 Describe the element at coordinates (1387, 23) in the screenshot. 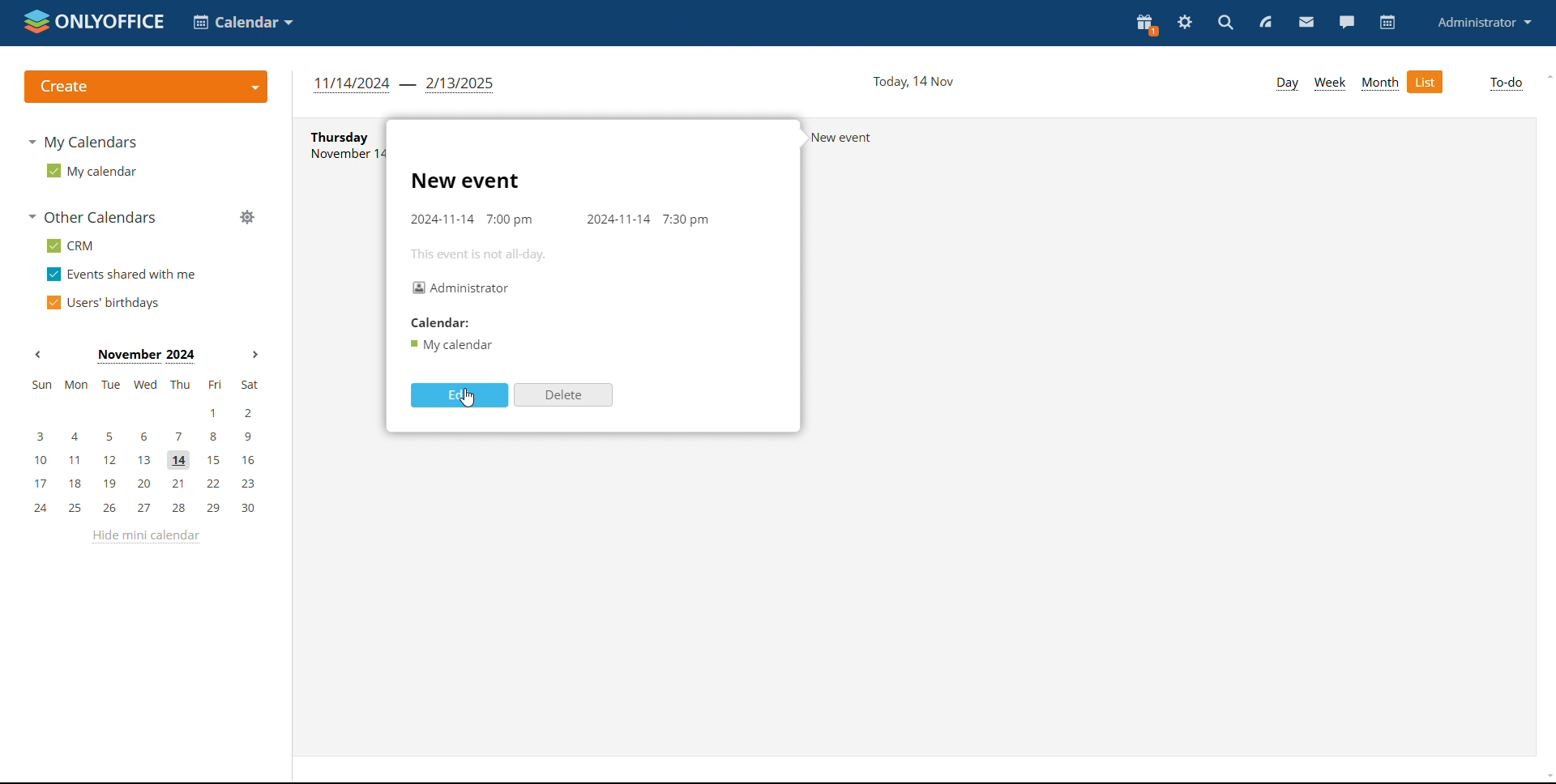

I see `calendar` at that location.